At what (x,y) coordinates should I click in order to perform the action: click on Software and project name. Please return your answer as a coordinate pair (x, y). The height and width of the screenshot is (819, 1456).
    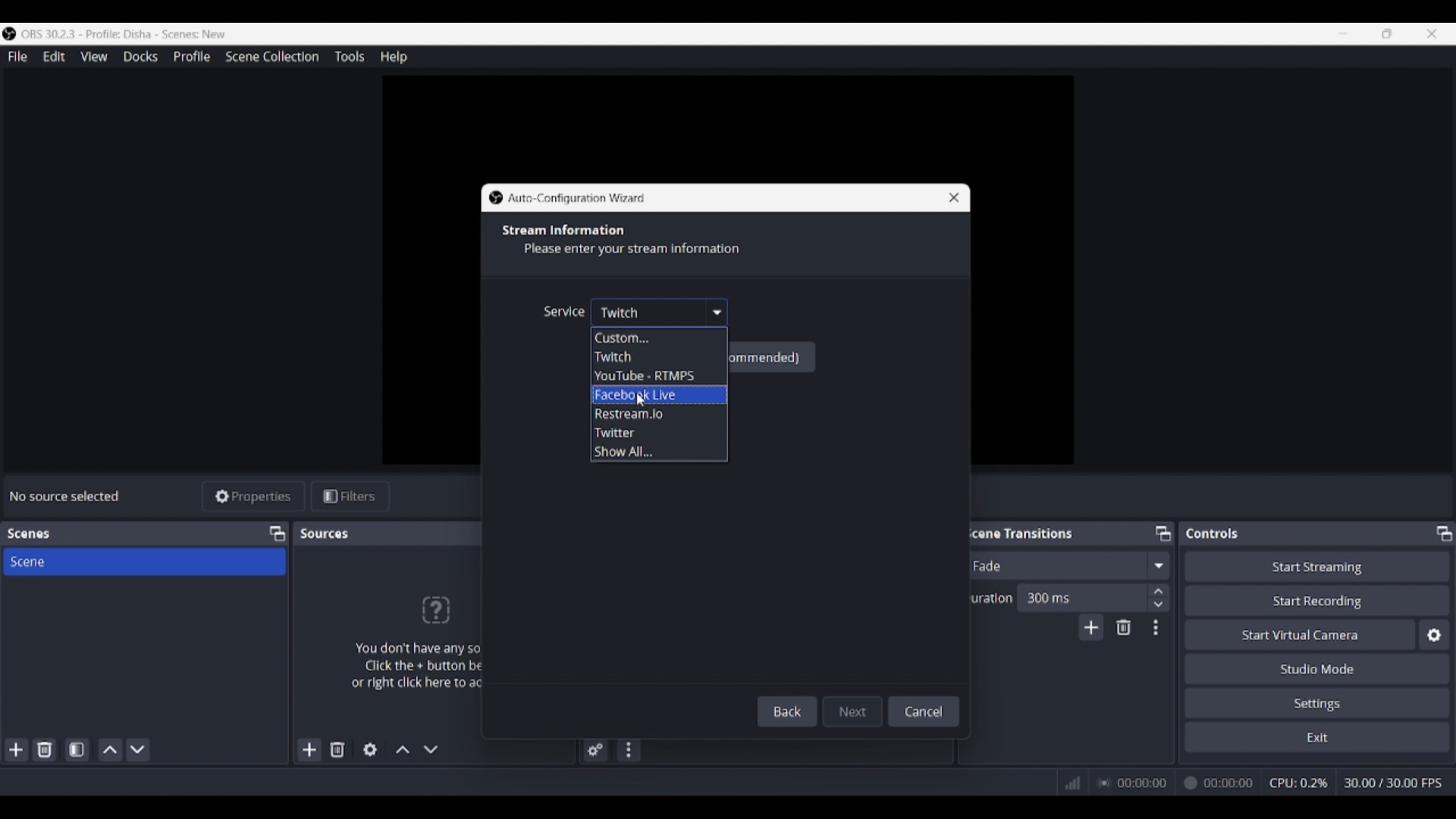
    Looking at the image, I should click on (130, 34).